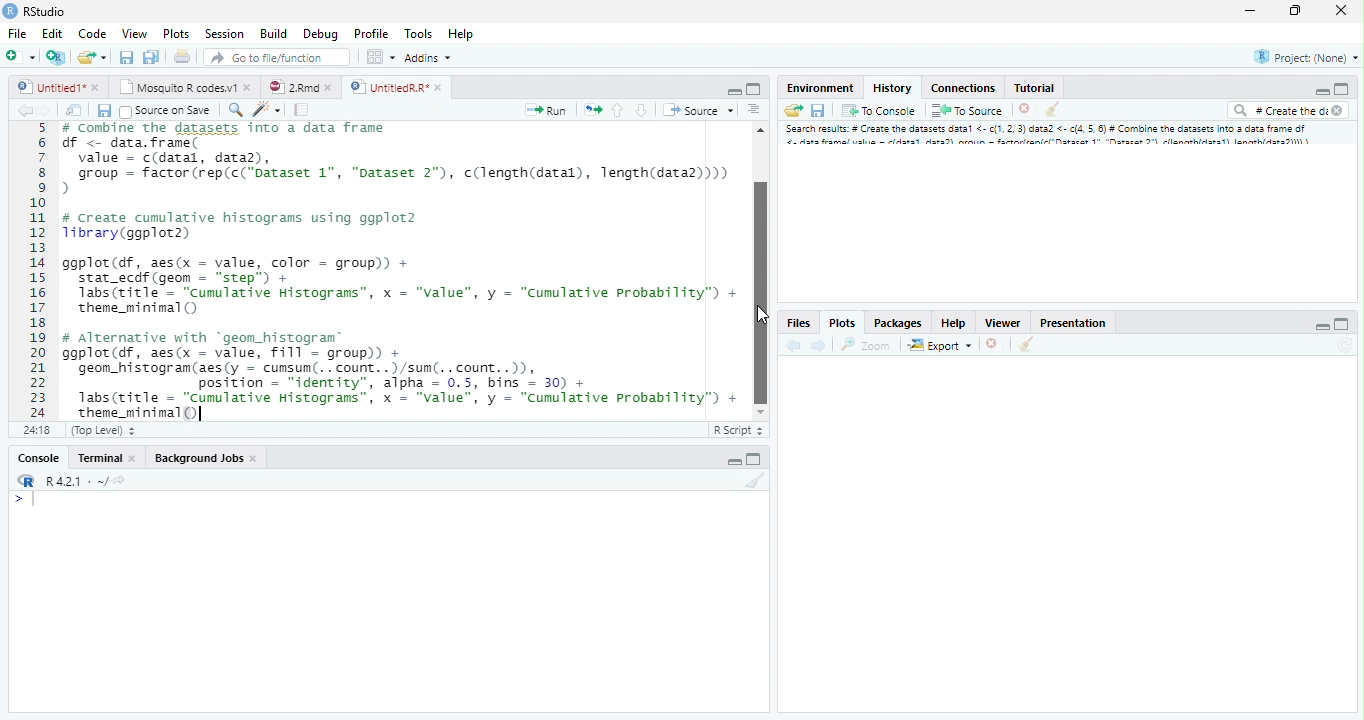 The height and width of the screenshot is (720, 1364). Describe the element at coordinates (165, 112) in the screenshot. I see `Source on Save` at that location.